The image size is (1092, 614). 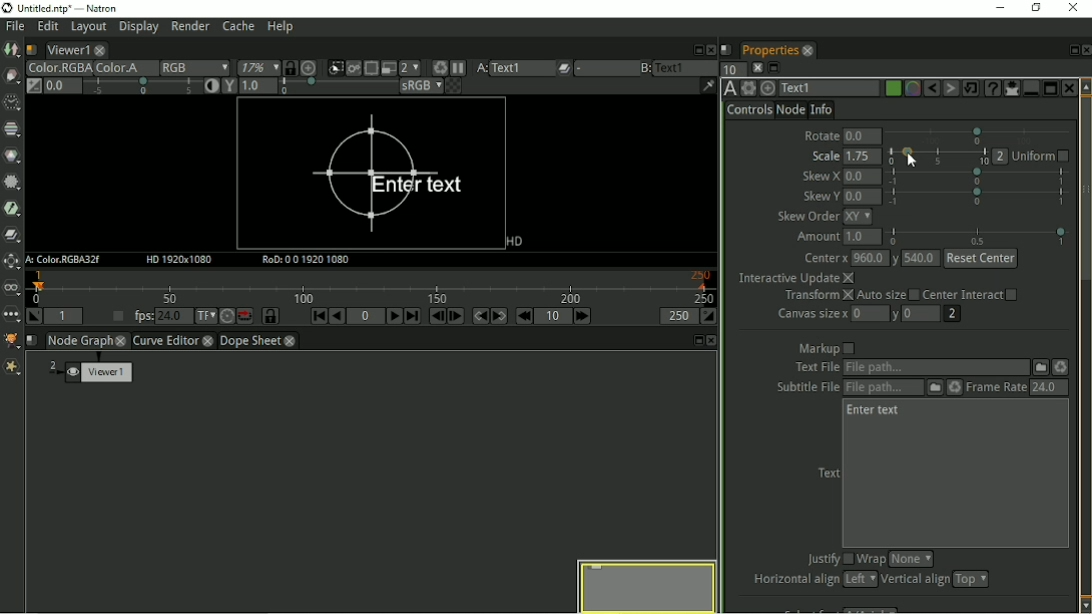 What do you see at coordinates (479, 317) in the screenshot?
I see `Previous keyframe` at bounding box center [479, 317].